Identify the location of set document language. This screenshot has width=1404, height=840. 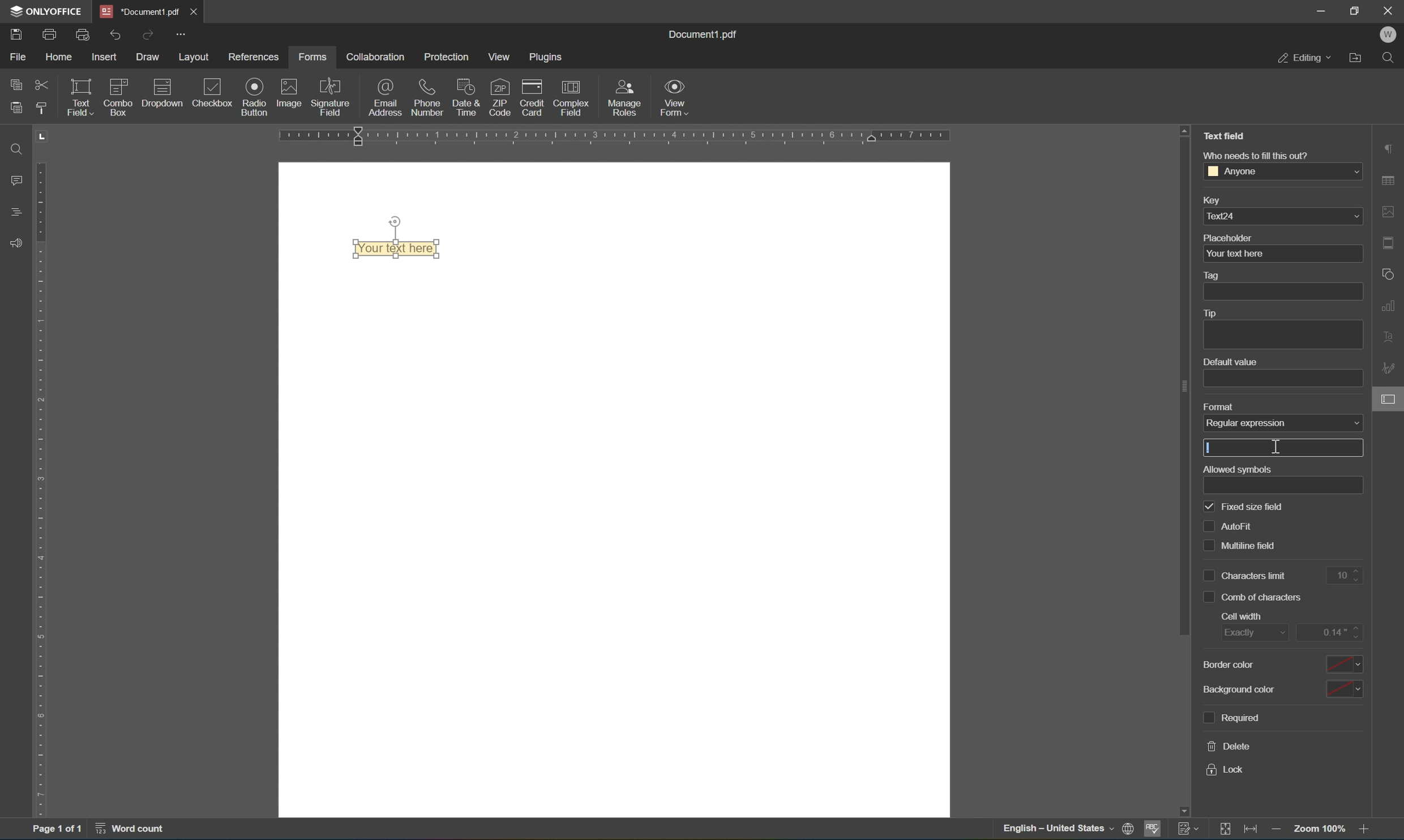
(1132, 830).